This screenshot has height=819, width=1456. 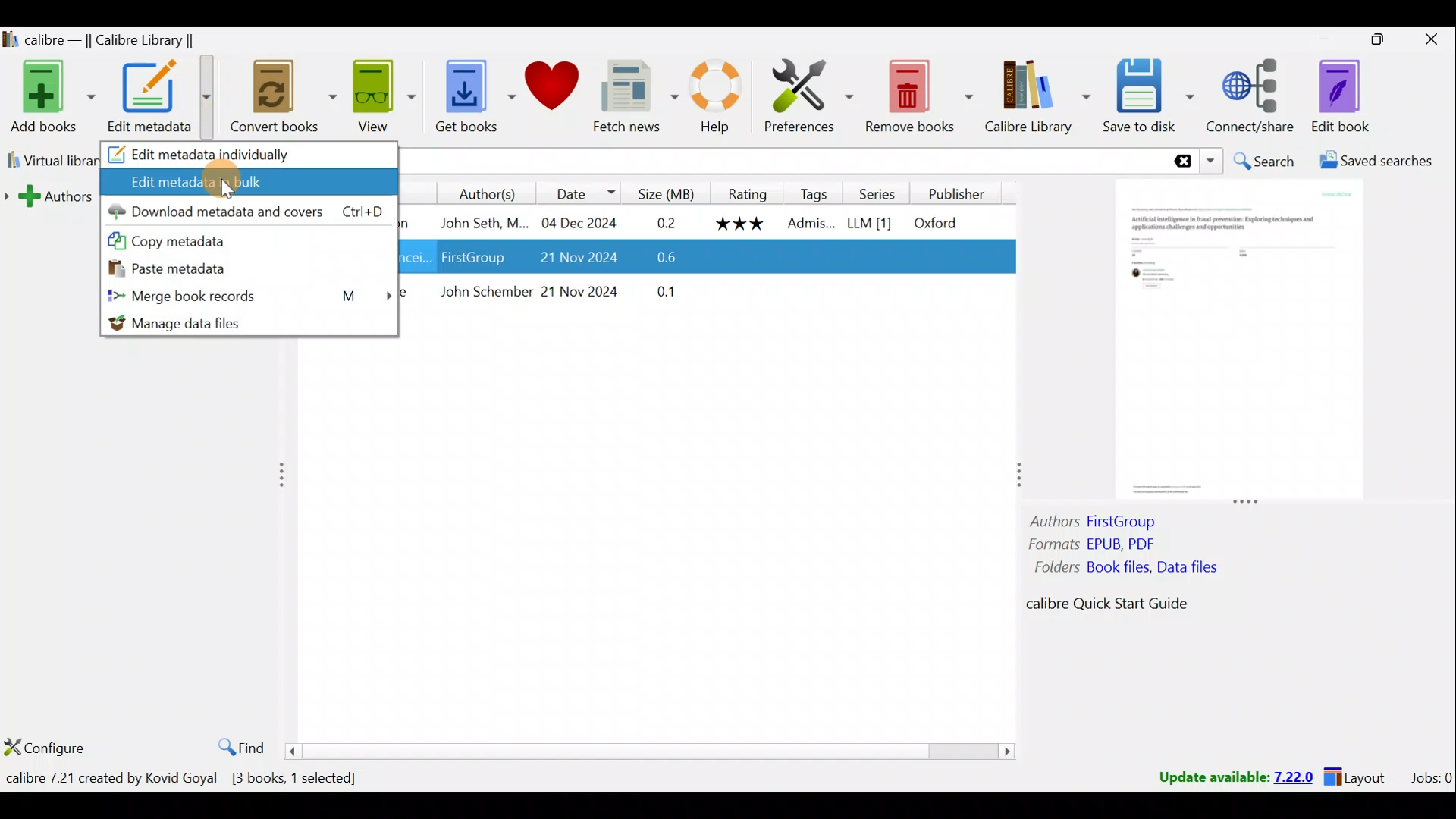 I want to click on Adjust column, so click(x=287, y=475).